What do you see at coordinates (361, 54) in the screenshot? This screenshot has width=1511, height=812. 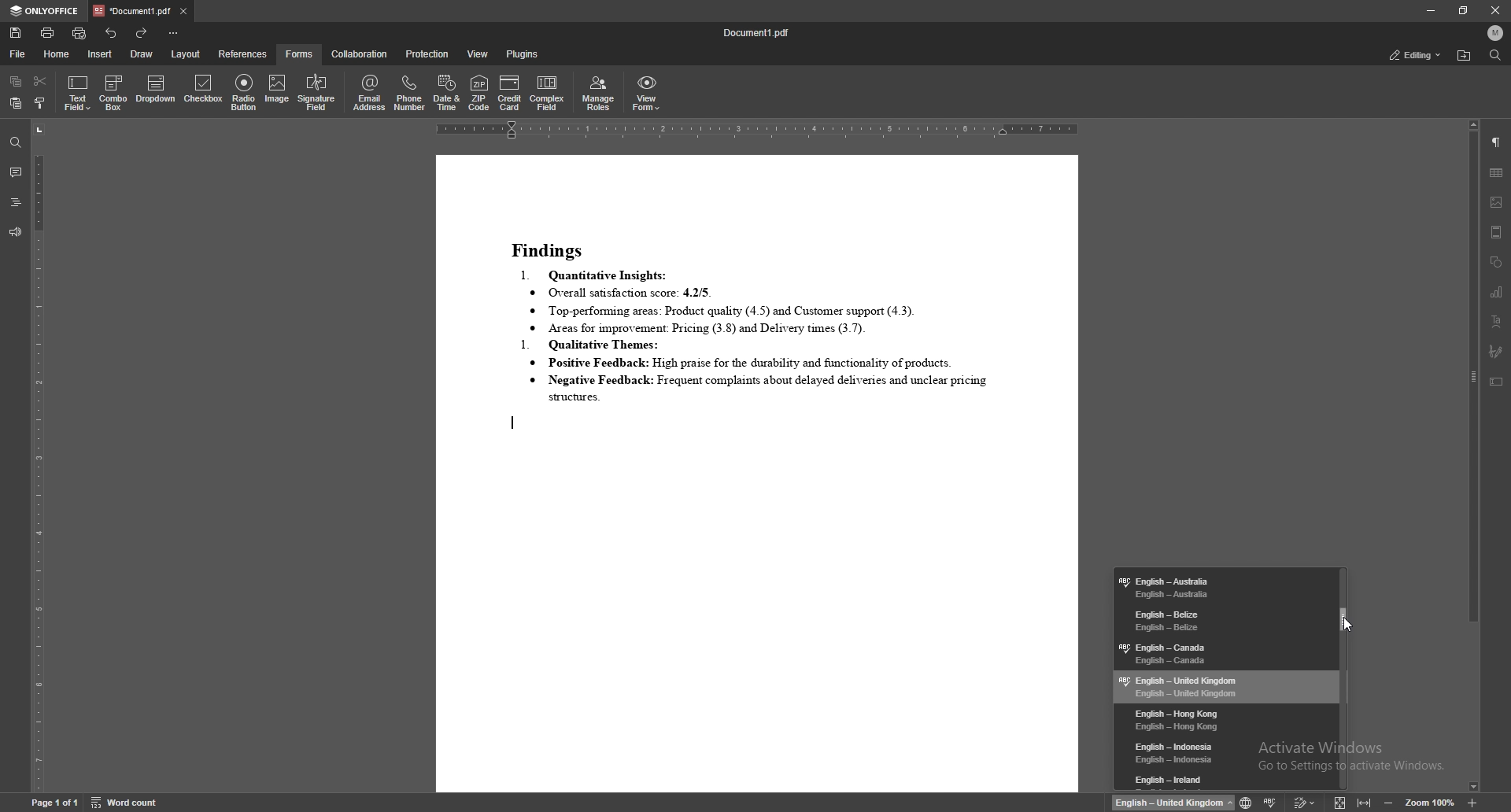 I see `collaboration` at bounding box center [361, 54].